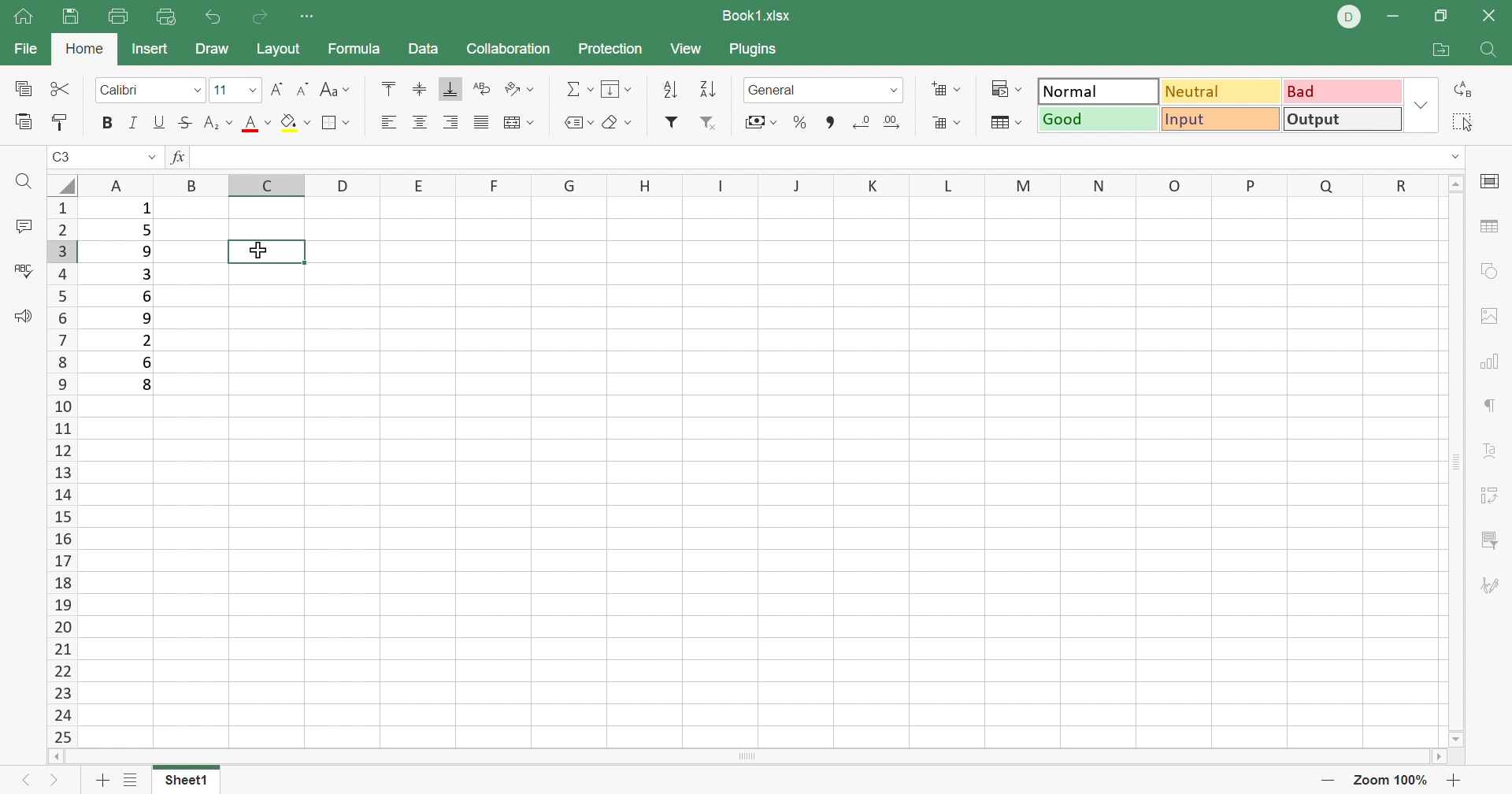  Describe the element at coordinates (61, 758) in the screenshot. I see `Scroll Left` at that location.